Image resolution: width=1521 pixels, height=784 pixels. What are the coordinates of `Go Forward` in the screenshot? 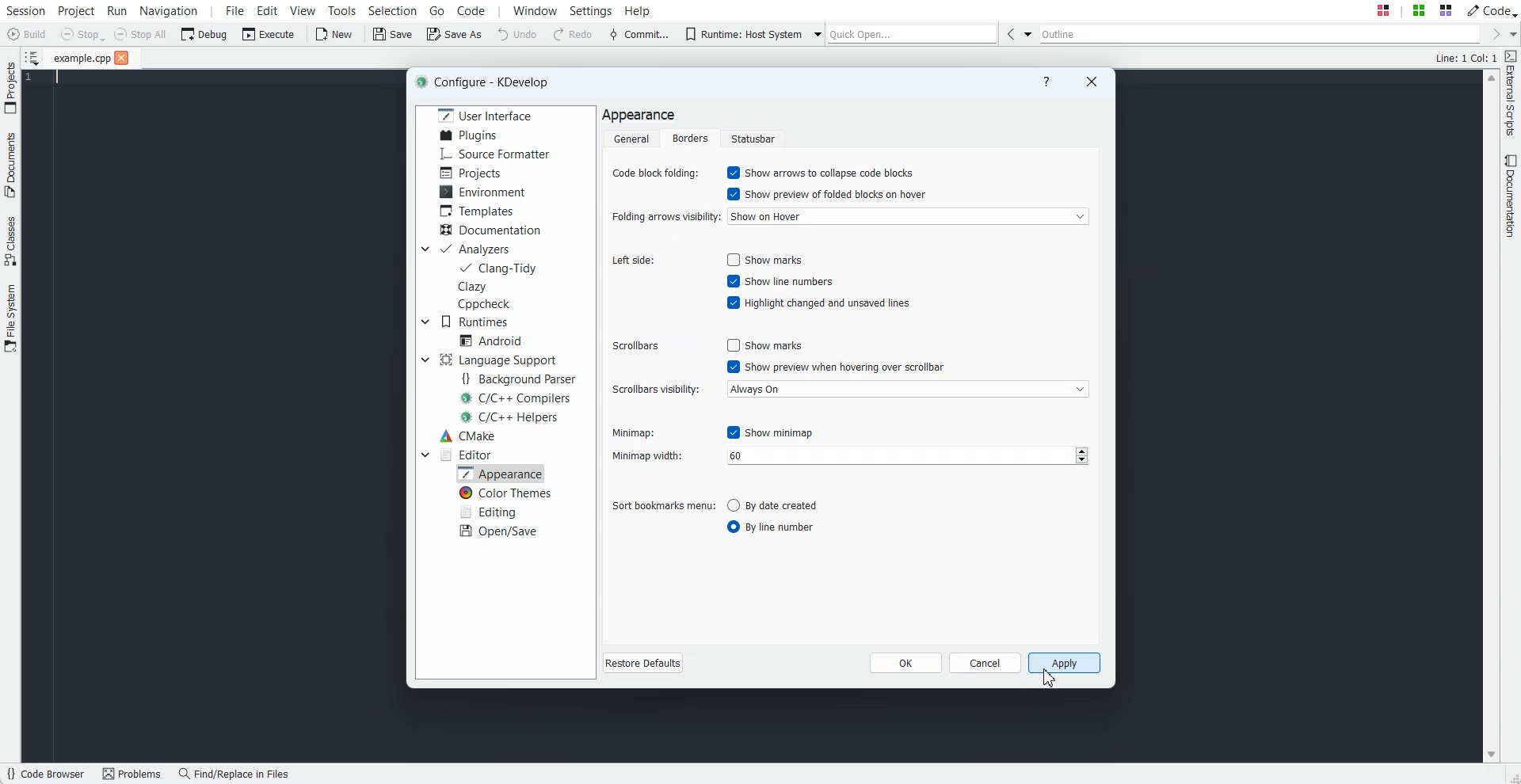 It's located at (1491, 33).